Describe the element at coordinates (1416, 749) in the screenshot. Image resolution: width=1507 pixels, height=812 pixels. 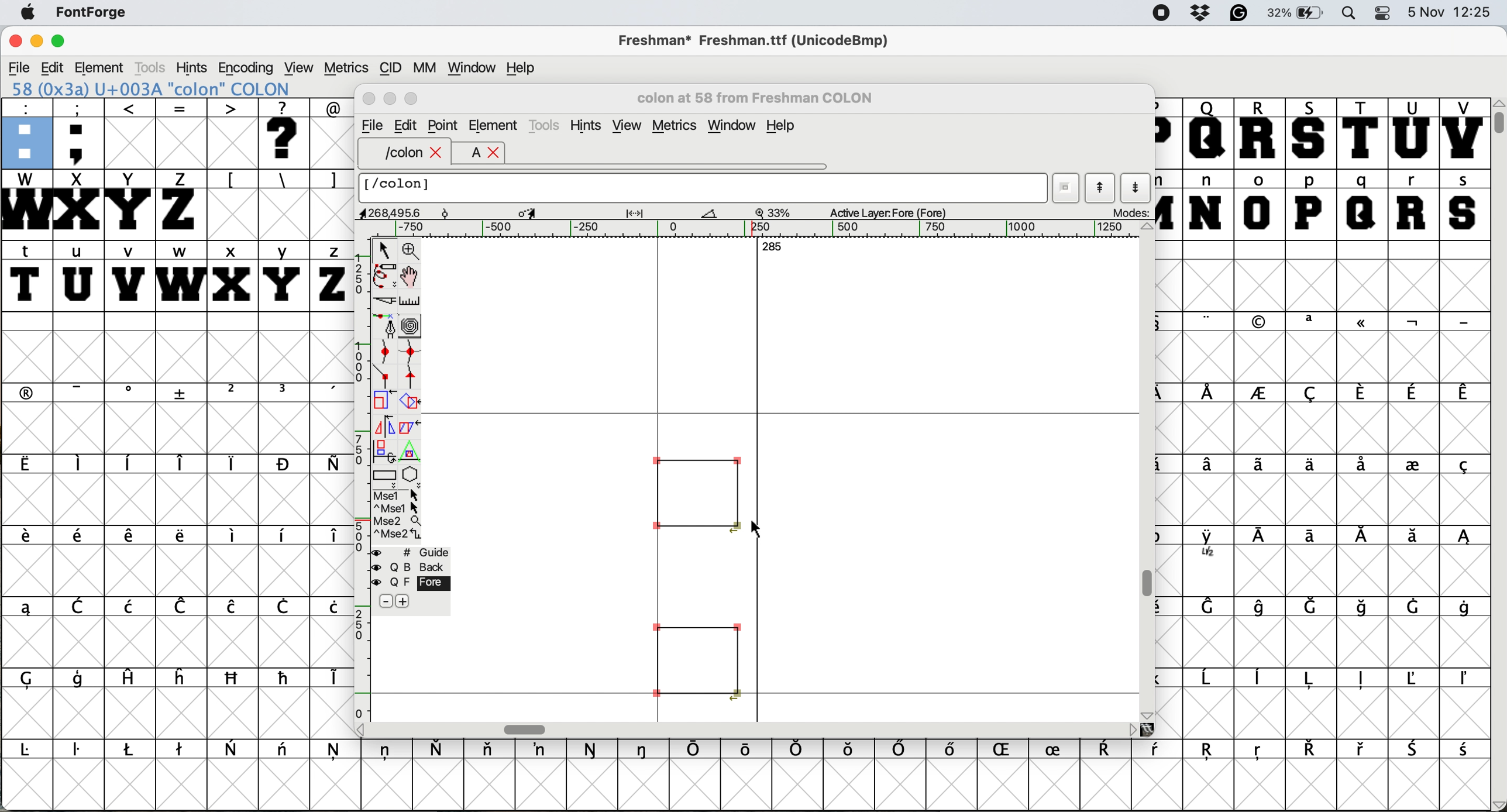
I see `symbol` at that location.